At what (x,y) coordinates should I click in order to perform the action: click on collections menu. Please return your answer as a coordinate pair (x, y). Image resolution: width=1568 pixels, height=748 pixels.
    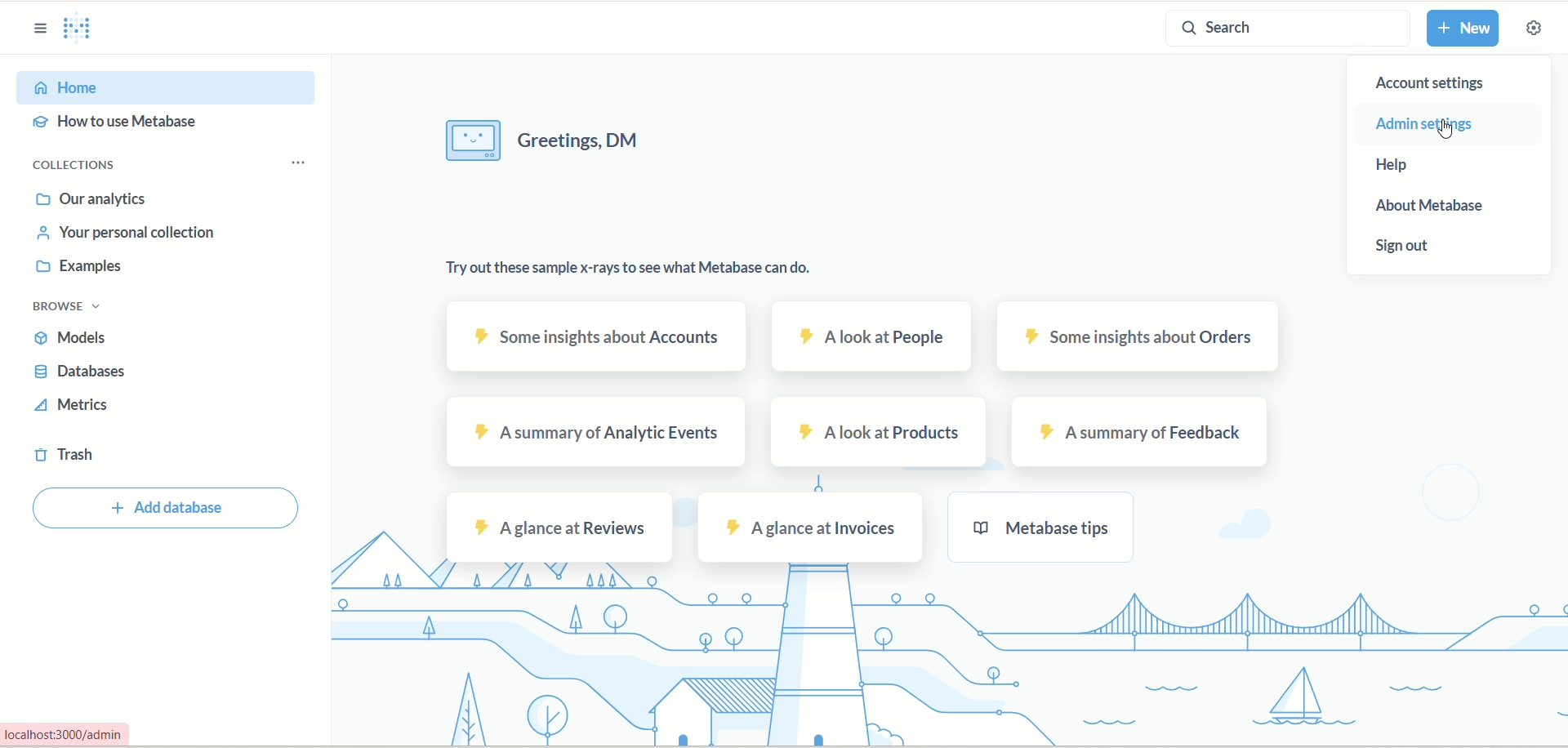
    Looking at the image, I should click on (298, 163).